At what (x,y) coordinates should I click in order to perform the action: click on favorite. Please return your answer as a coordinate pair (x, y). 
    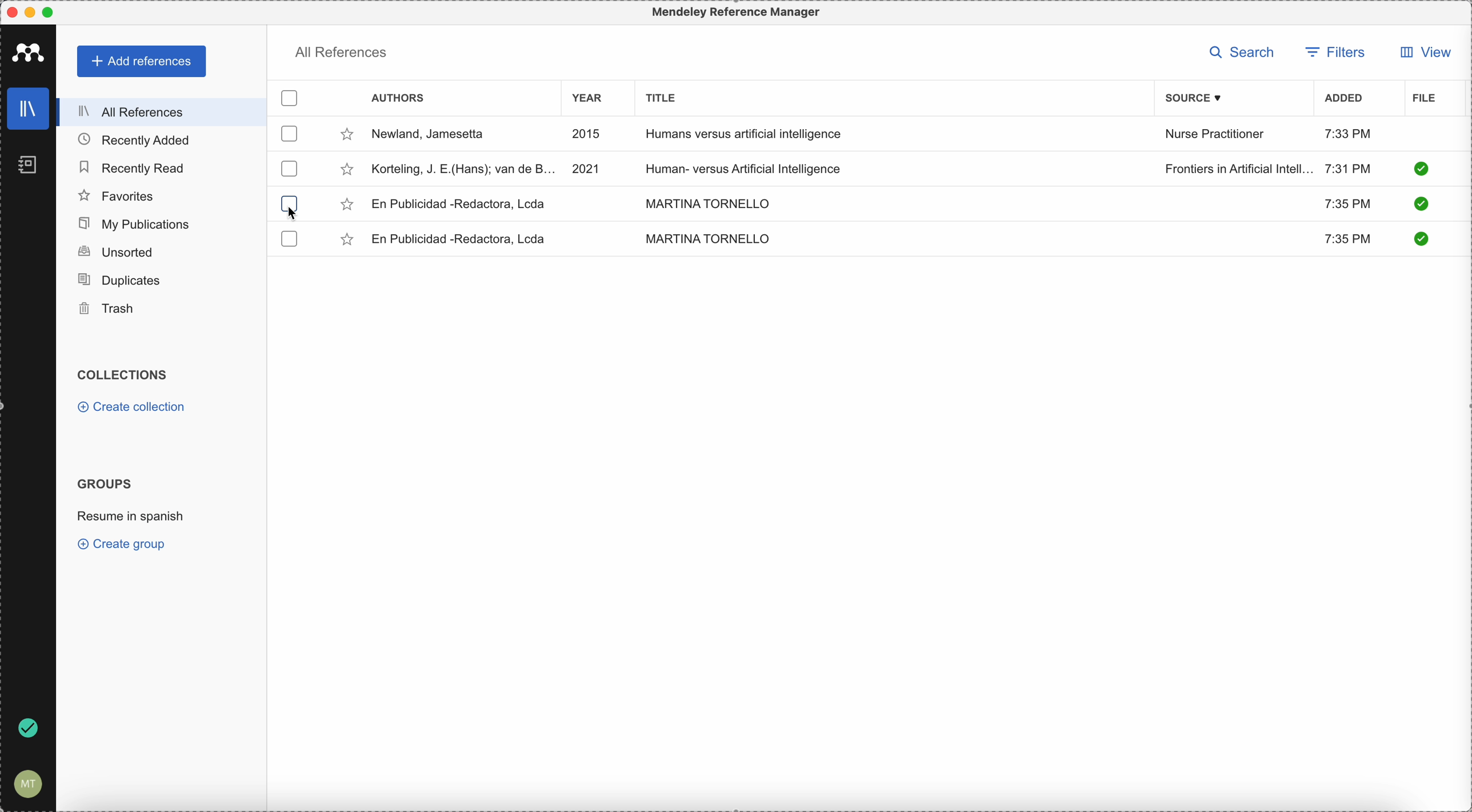
    Looking at the image, I should click on (347, 137).